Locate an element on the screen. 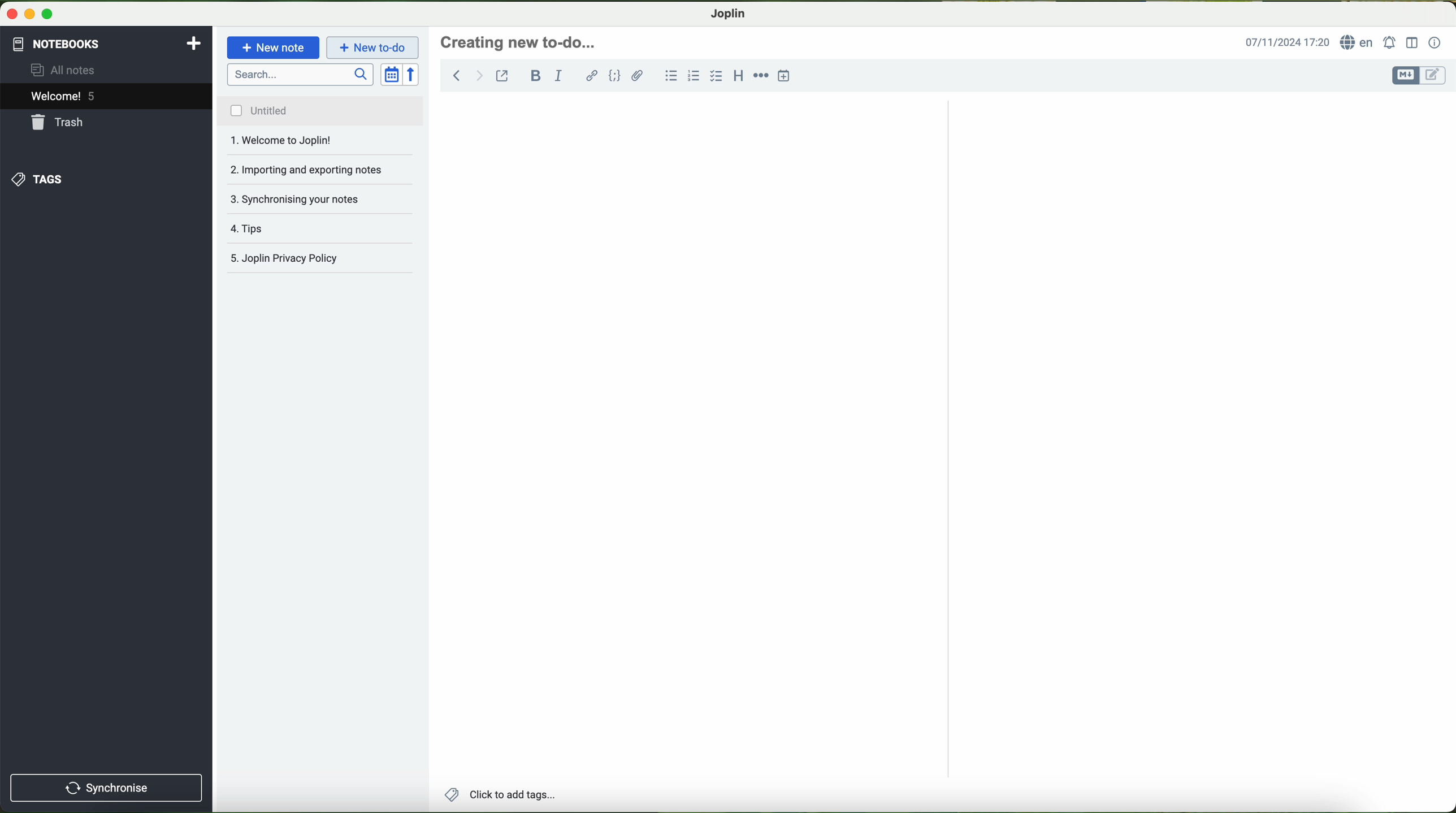 The image size is (1456, 813). italic is located at coordinates (557, 76).